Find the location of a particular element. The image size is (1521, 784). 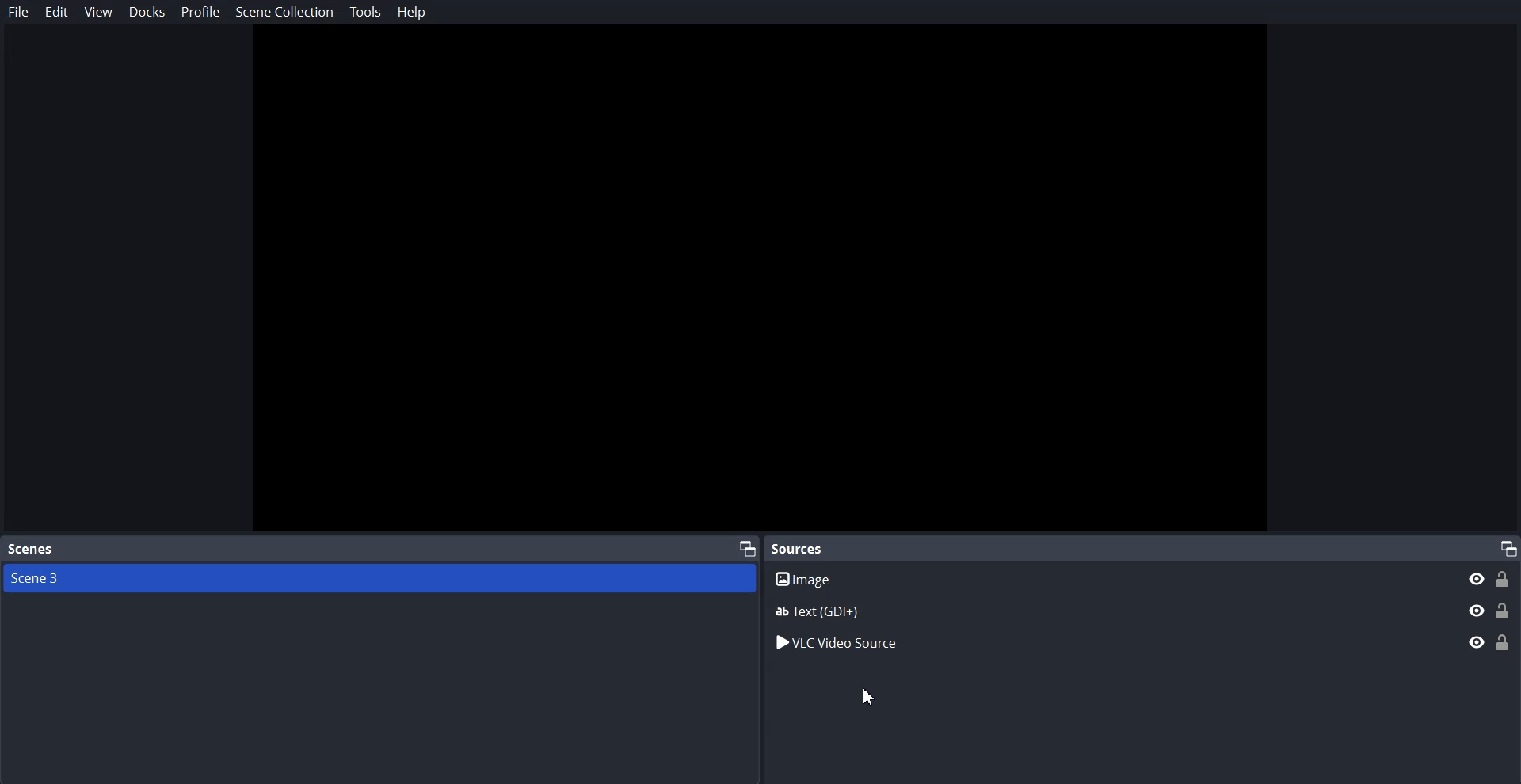

Maximize is located at coordinates (1508, 547).